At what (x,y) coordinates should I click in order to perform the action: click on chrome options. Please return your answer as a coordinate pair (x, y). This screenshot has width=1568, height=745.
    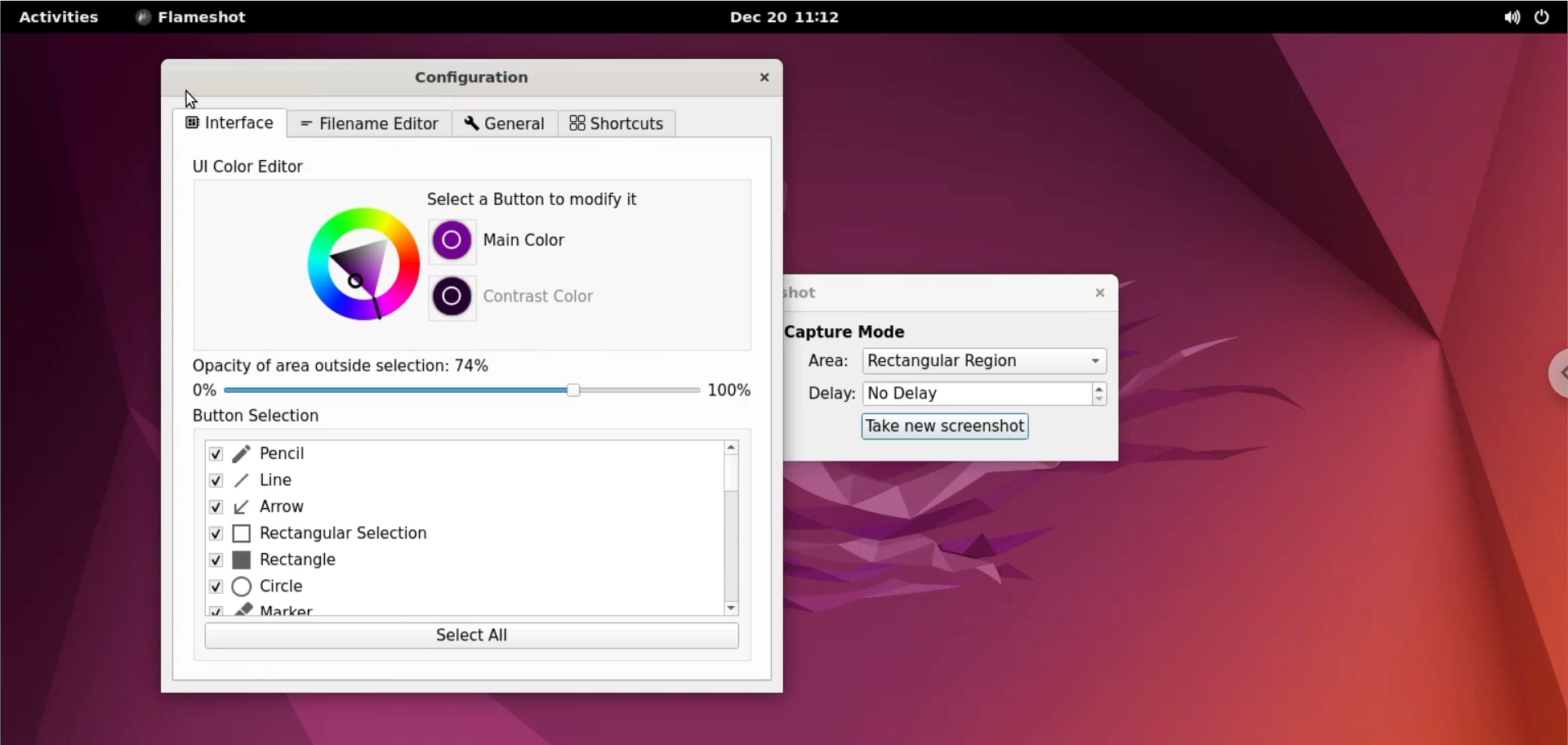
    Looking at the image, I should click on (1553, 372).